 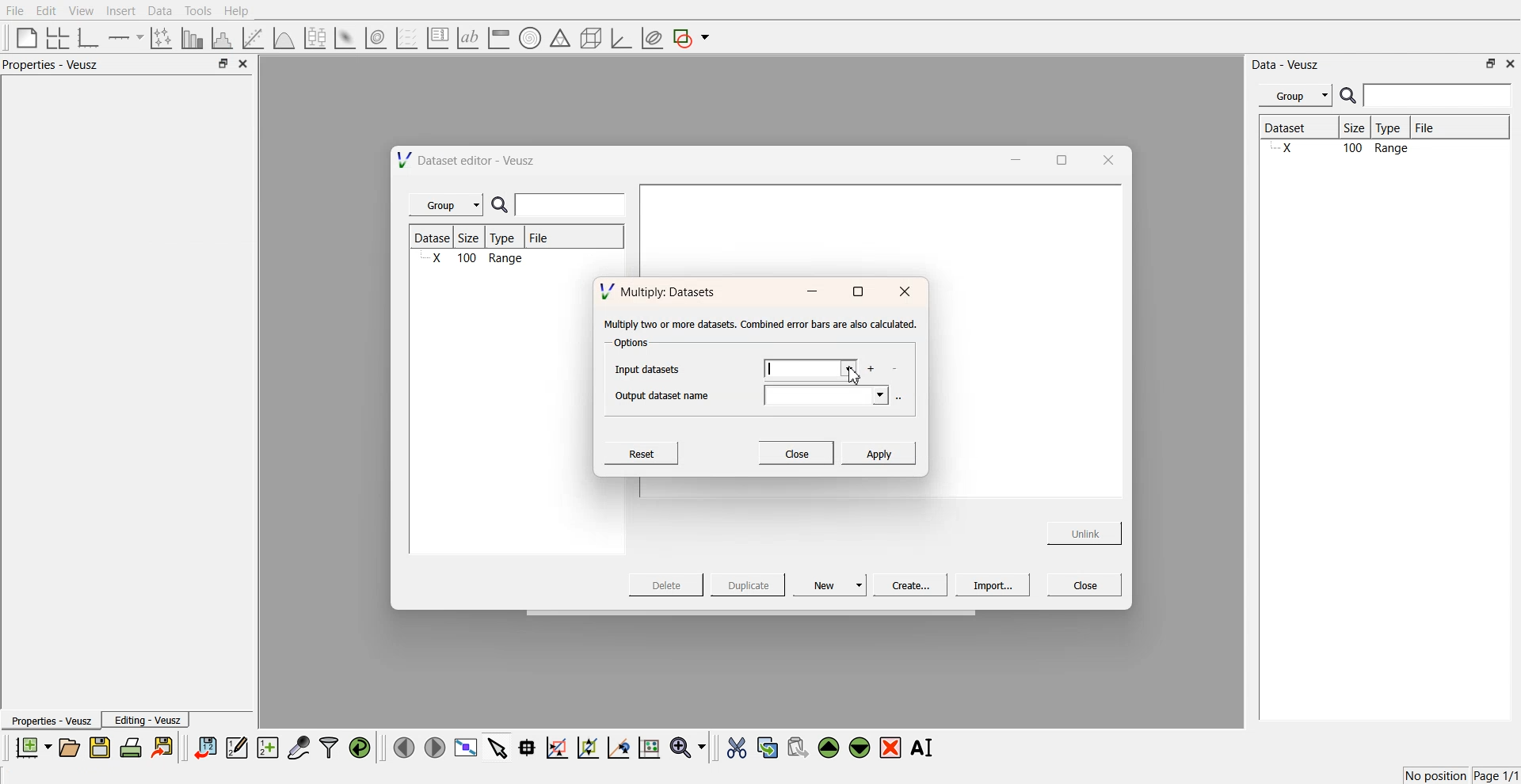 What do you see at coordinates (119, 11) in the screenshot?
I see `Insert` at bounding box center [119, 11].